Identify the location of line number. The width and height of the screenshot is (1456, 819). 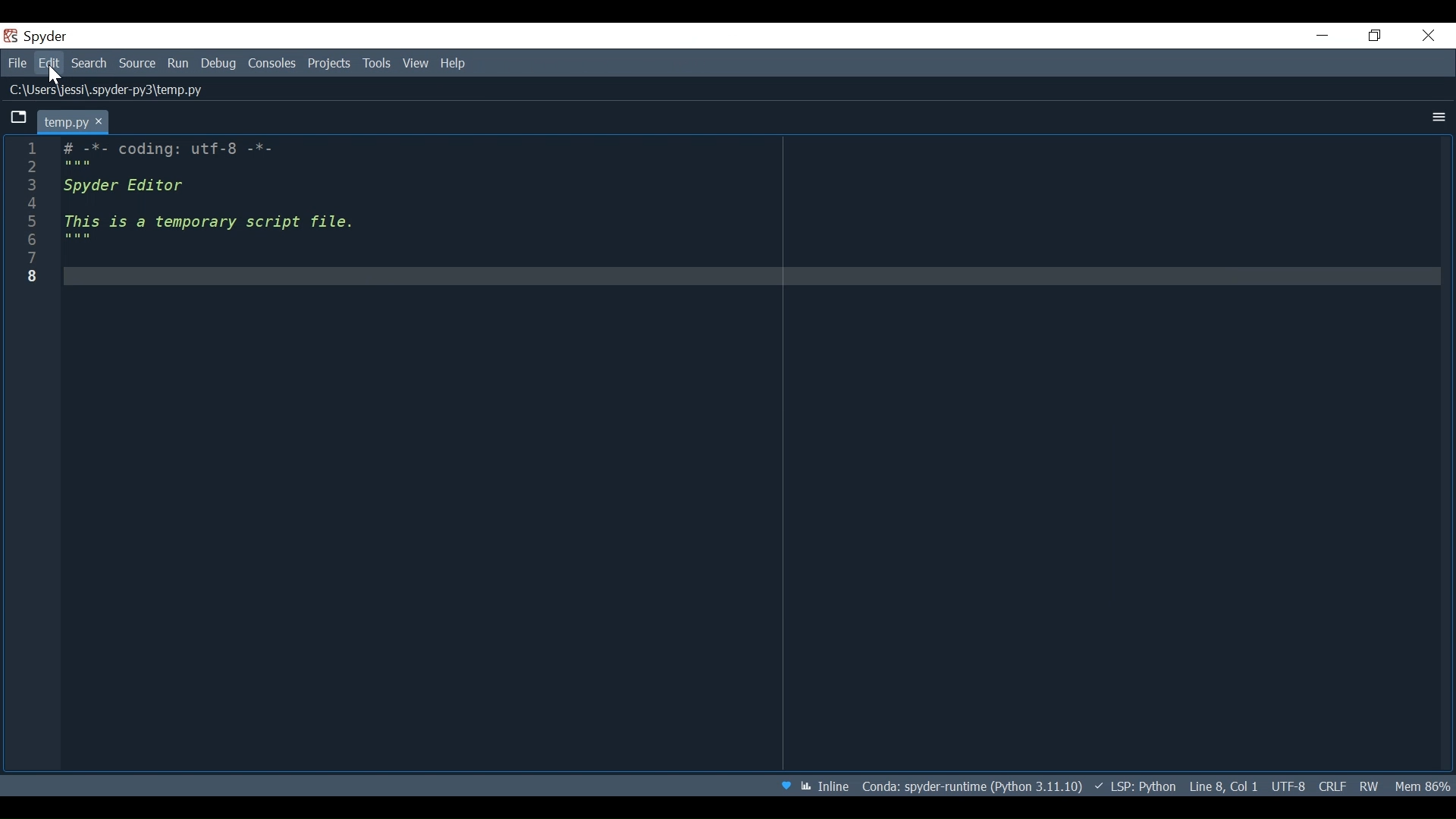
(30, 214).